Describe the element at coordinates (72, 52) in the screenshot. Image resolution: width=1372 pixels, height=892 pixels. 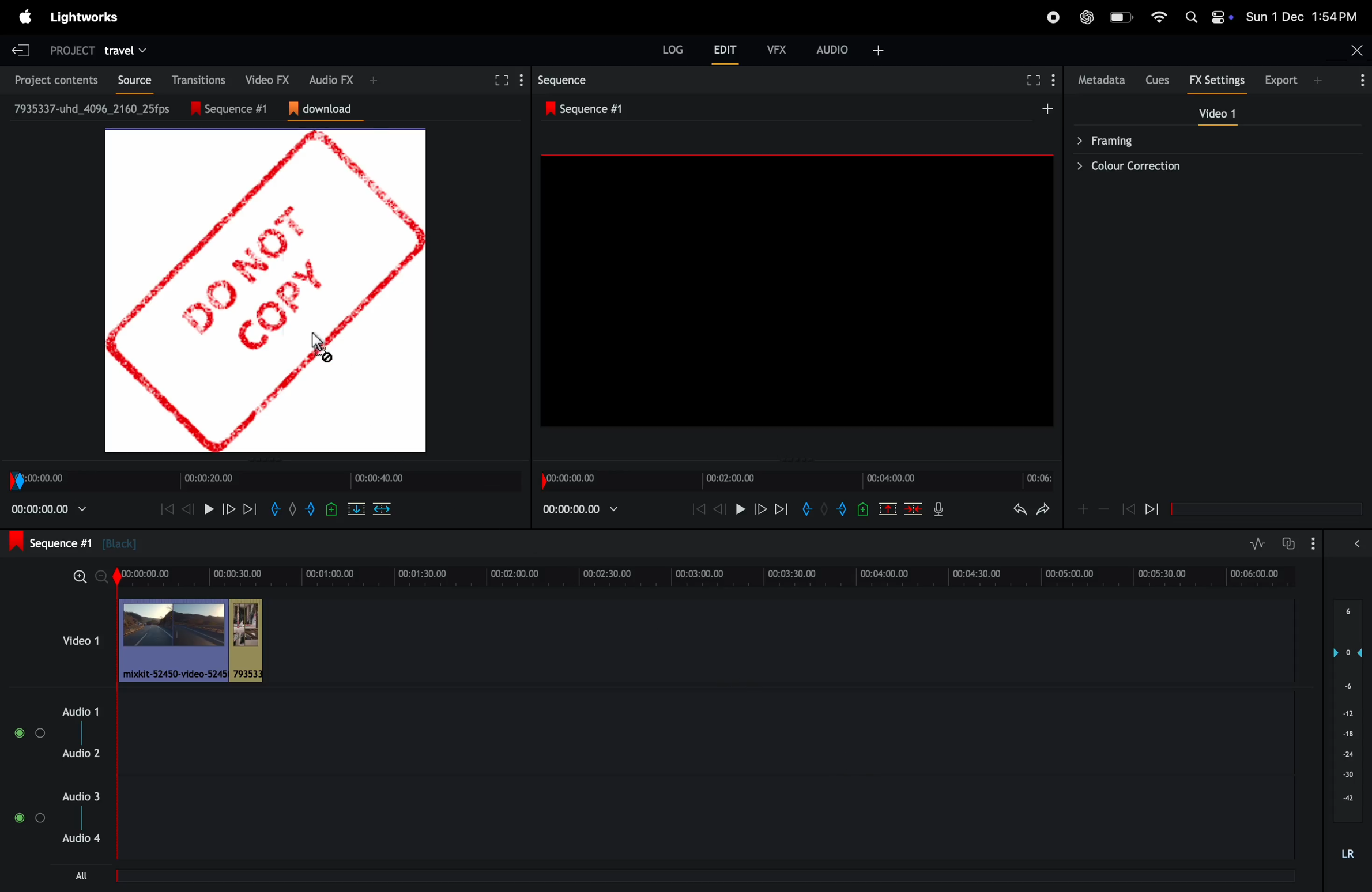
I see `project` at that location.